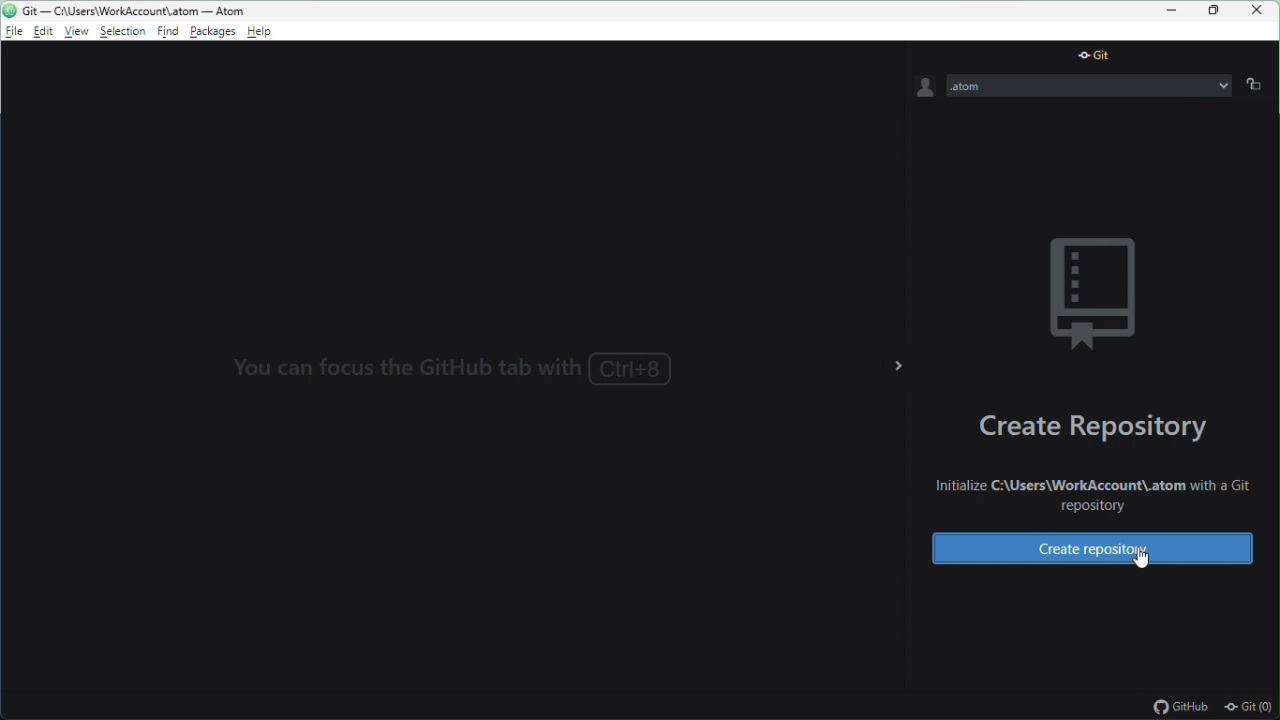 This screenshot has height=720, width=1280. Describe the element at coordinates (125, 34) in the screenshot. I see `selection` at that location.